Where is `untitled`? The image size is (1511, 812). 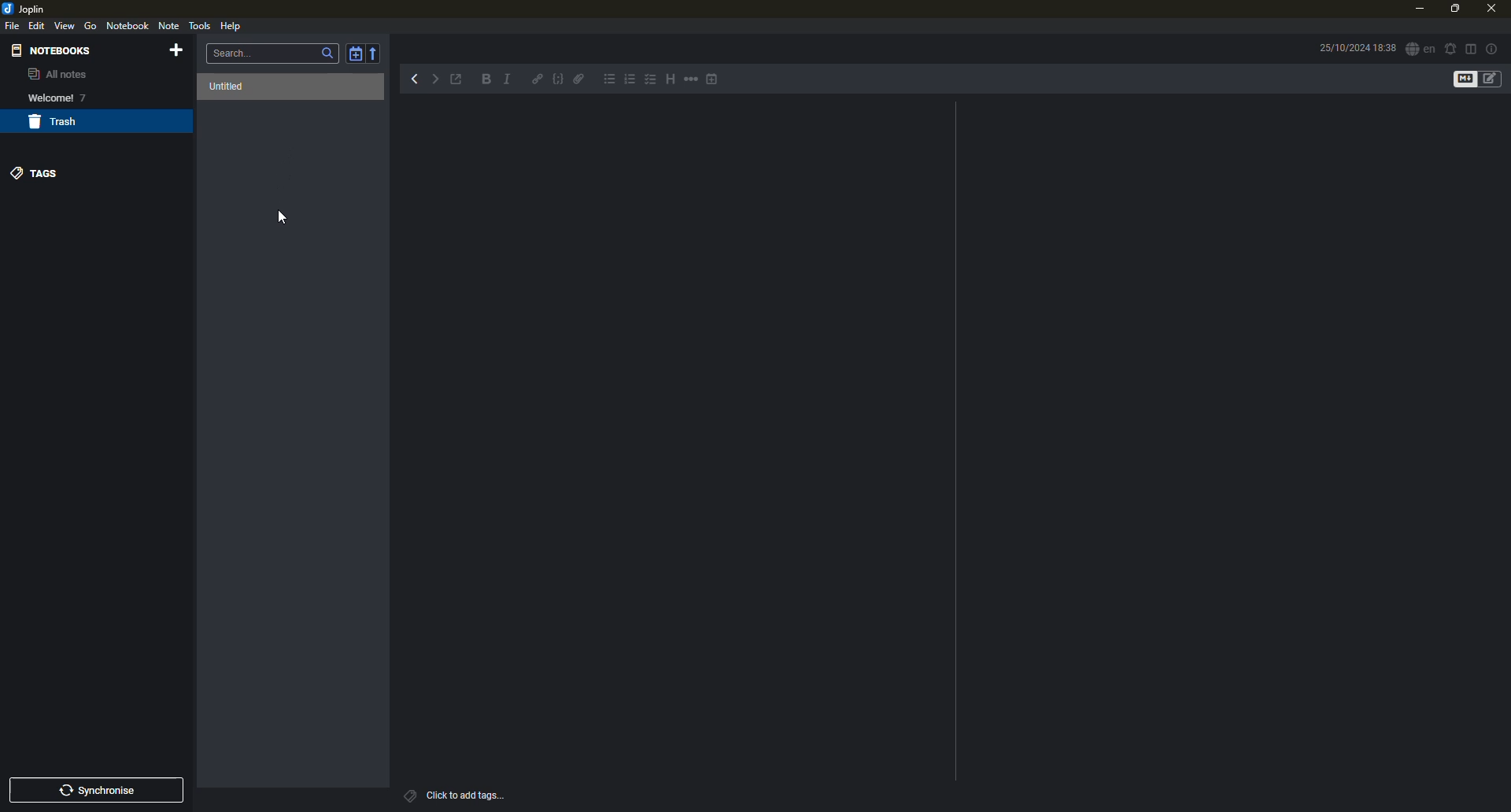
untitled is located at coordinates (230, 87).